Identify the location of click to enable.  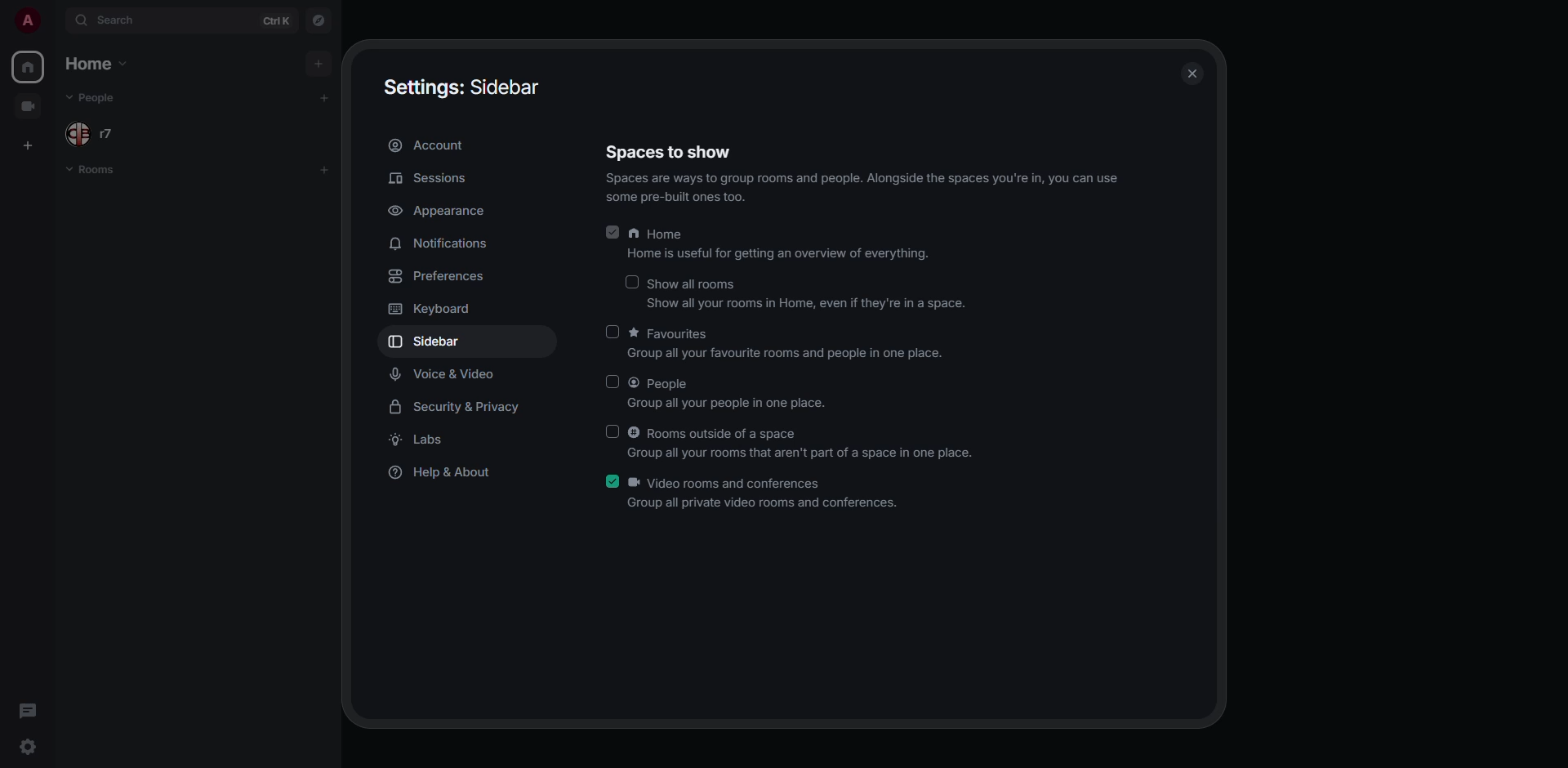
(612, 332).